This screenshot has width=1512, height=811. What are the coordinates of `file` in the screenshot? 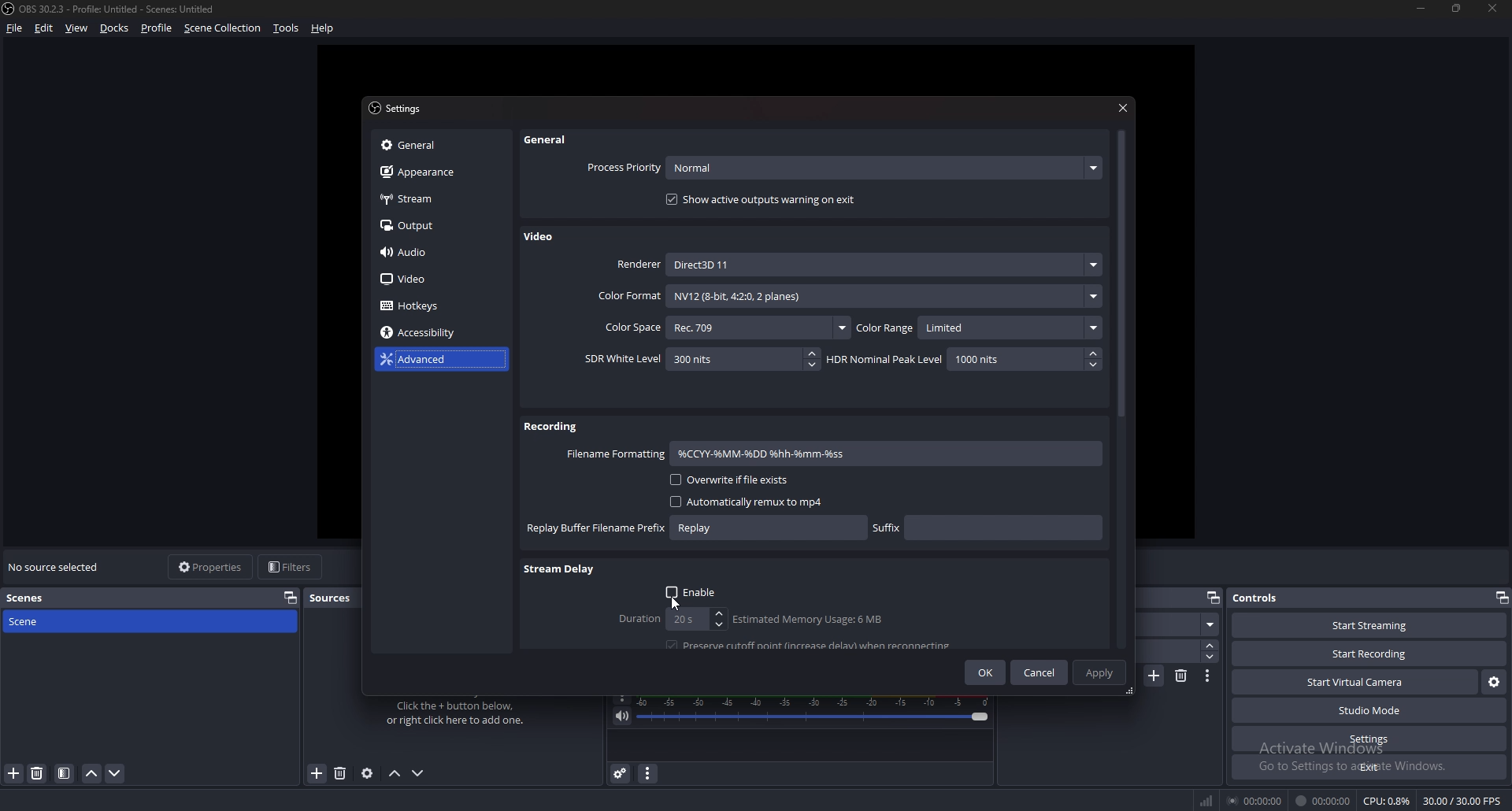 It's located at (17, 28).